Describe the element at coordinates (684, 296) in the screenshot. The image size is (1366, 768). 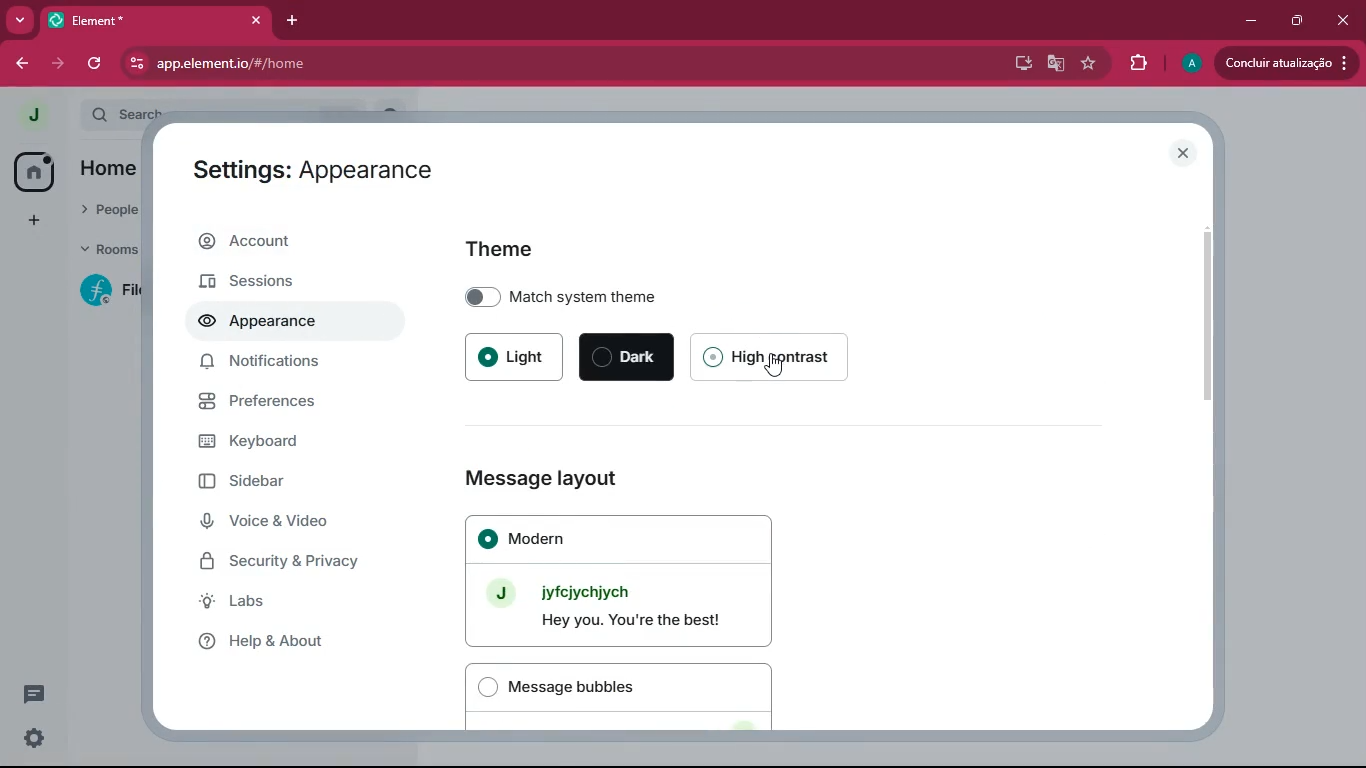
I see `match system theme` at that location.